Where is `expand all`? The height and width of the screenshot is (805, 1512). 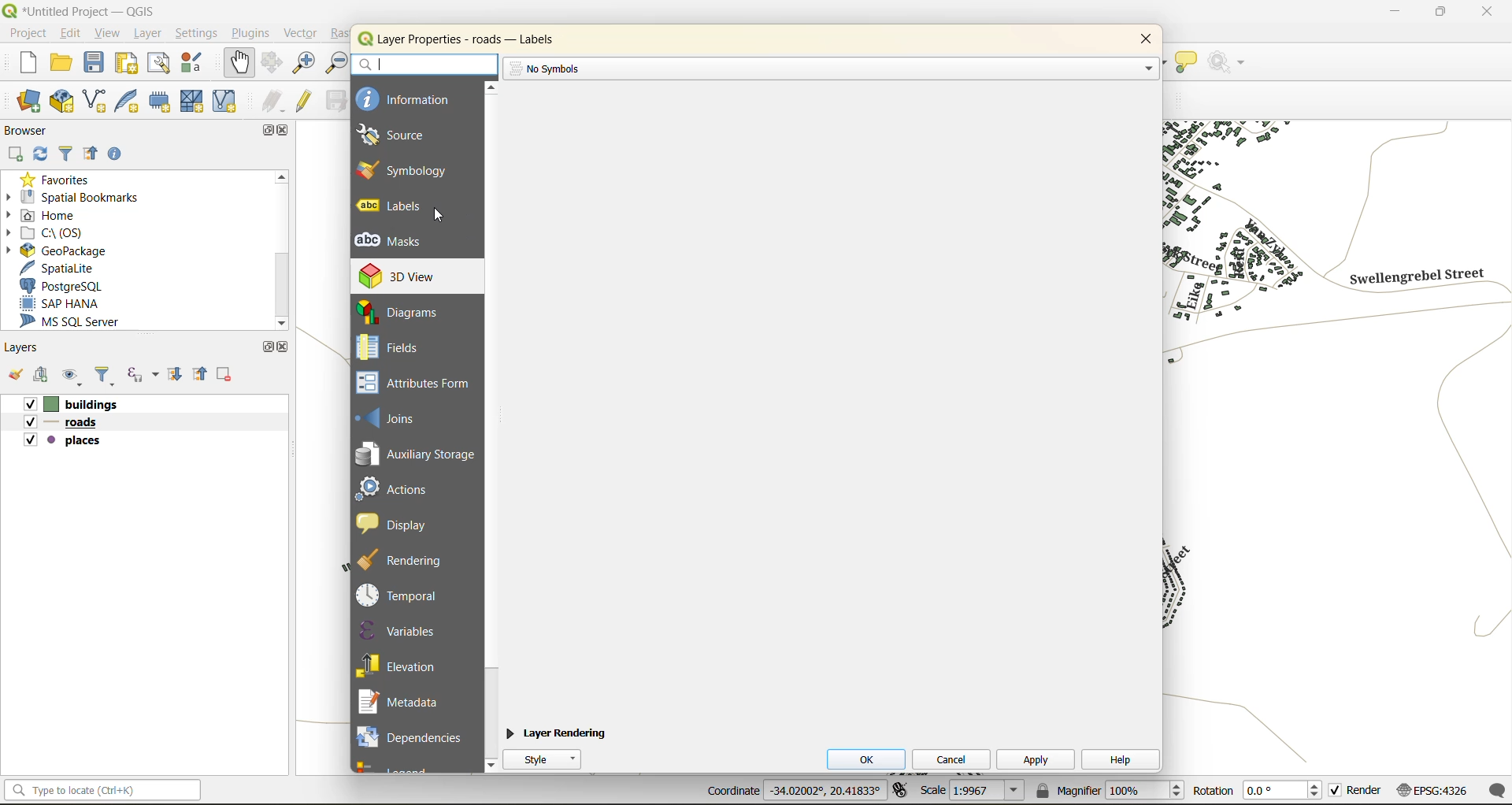 expand all is located at coordinates (171, 377).